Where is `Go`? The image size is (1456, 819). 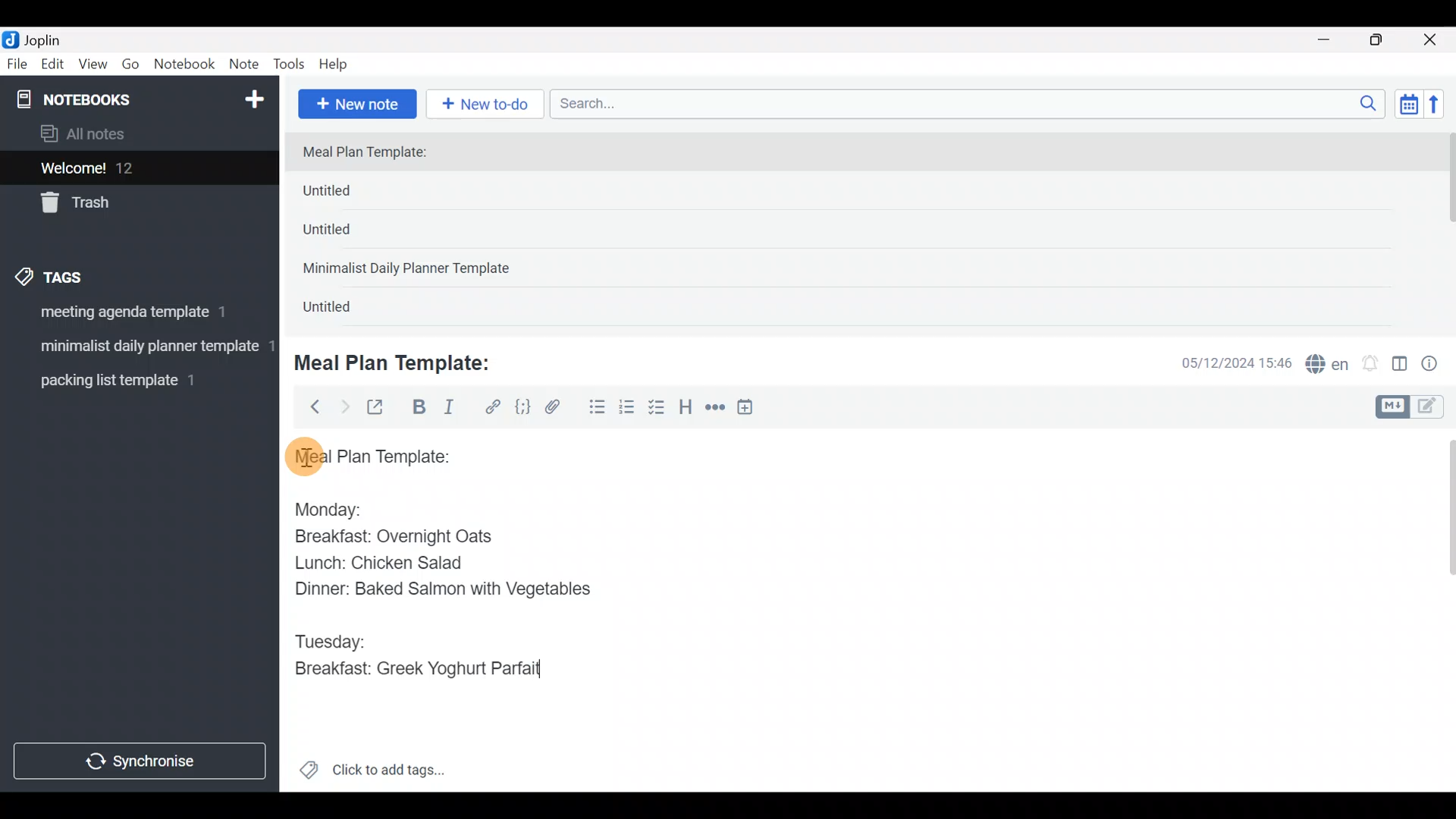
Go is located at coordinates (130, 67).